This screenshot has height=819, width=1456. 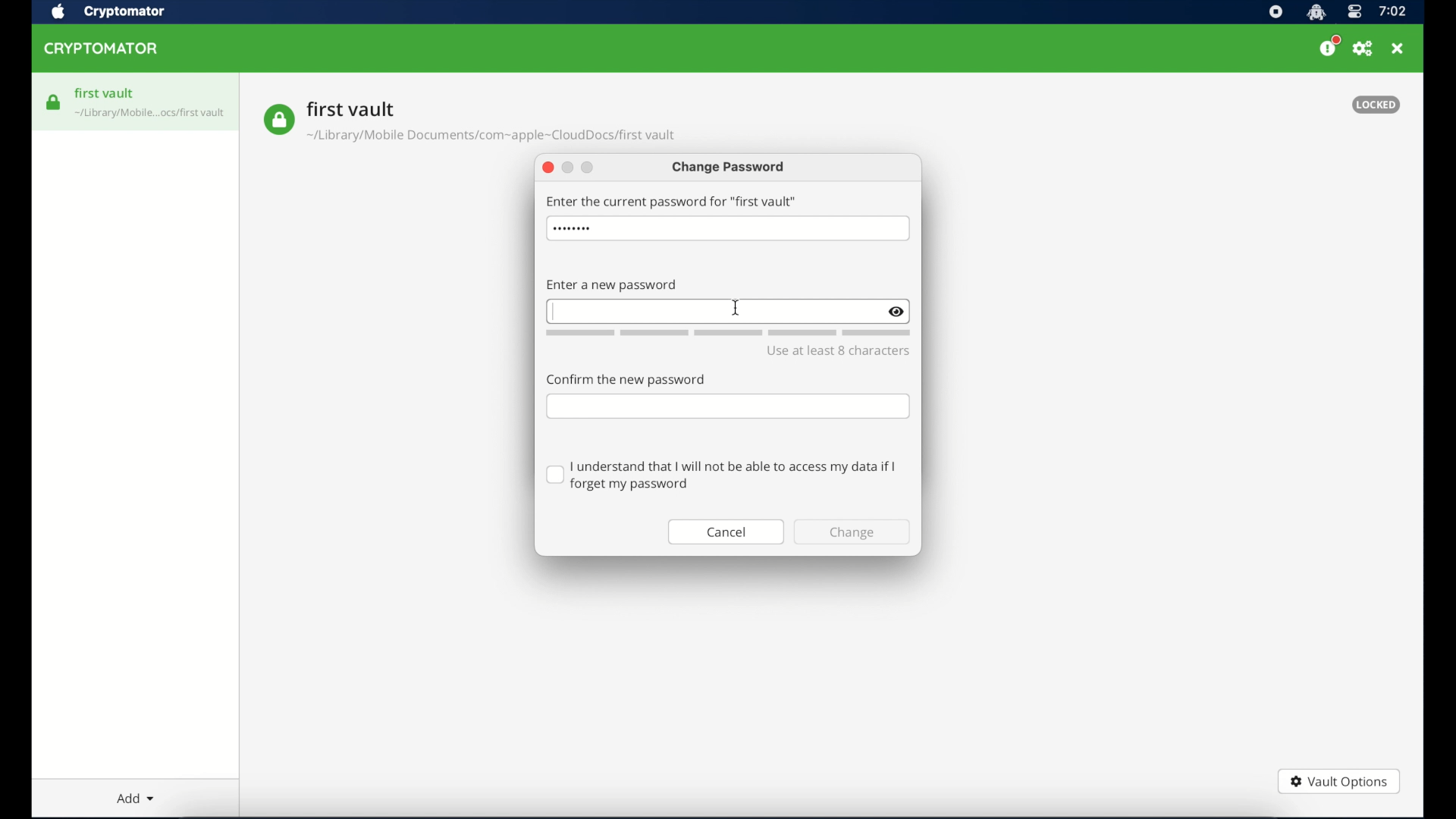 I want to click on maimize, so click(x=587, y=168).